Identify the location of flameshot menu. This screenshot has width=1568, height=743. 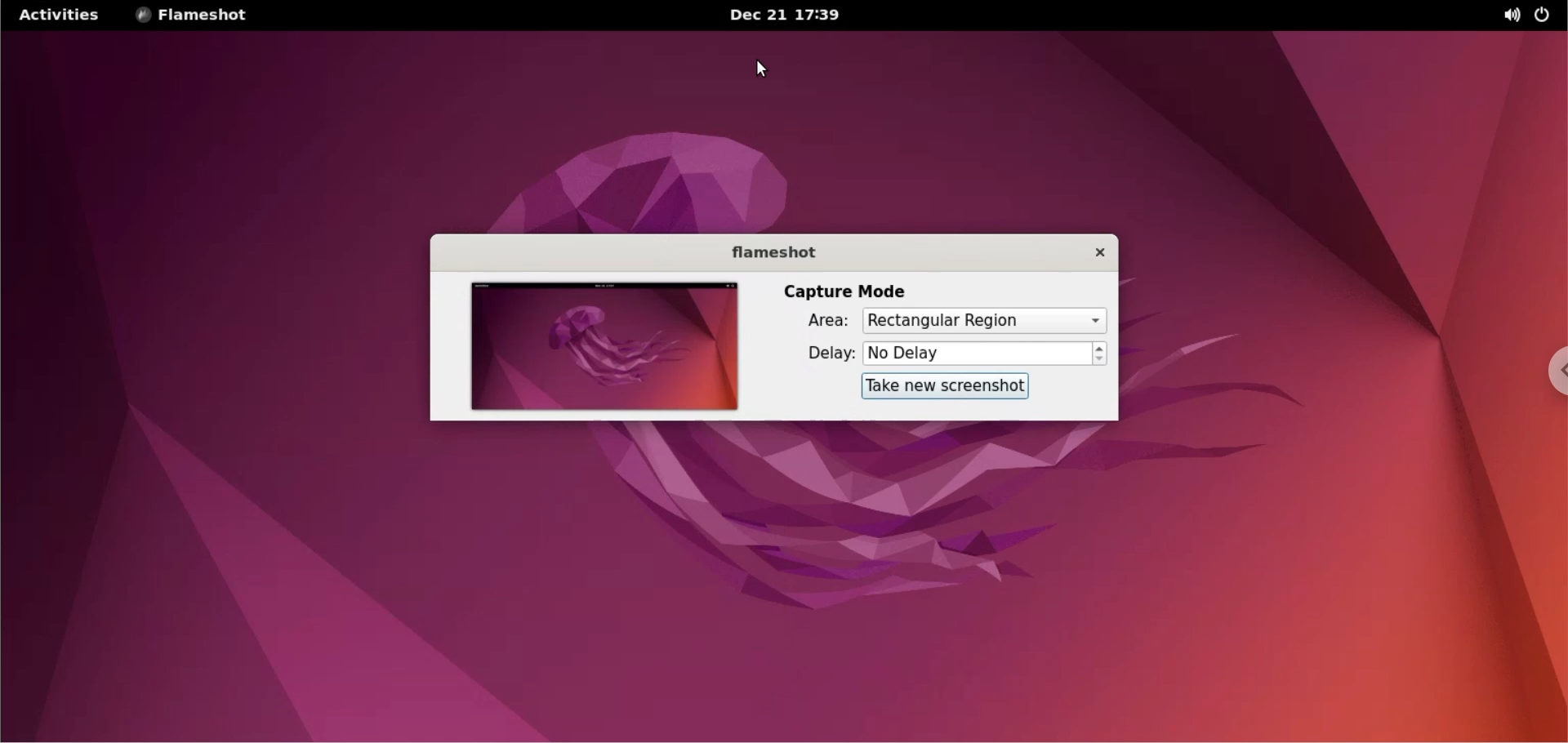
(195, 16).